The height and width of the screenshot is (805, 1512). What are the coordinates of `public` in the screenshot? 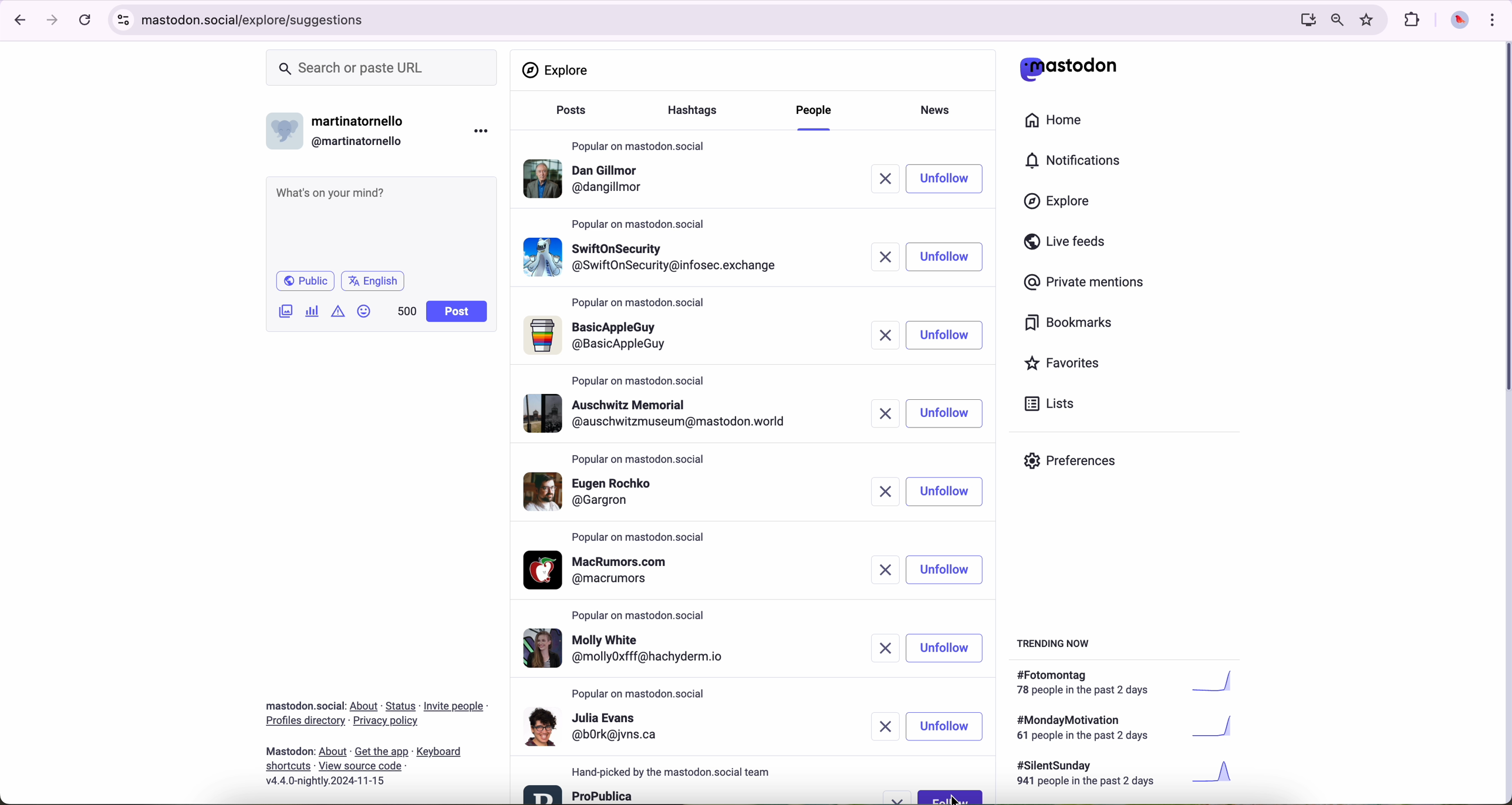 It's located at (304, 281).